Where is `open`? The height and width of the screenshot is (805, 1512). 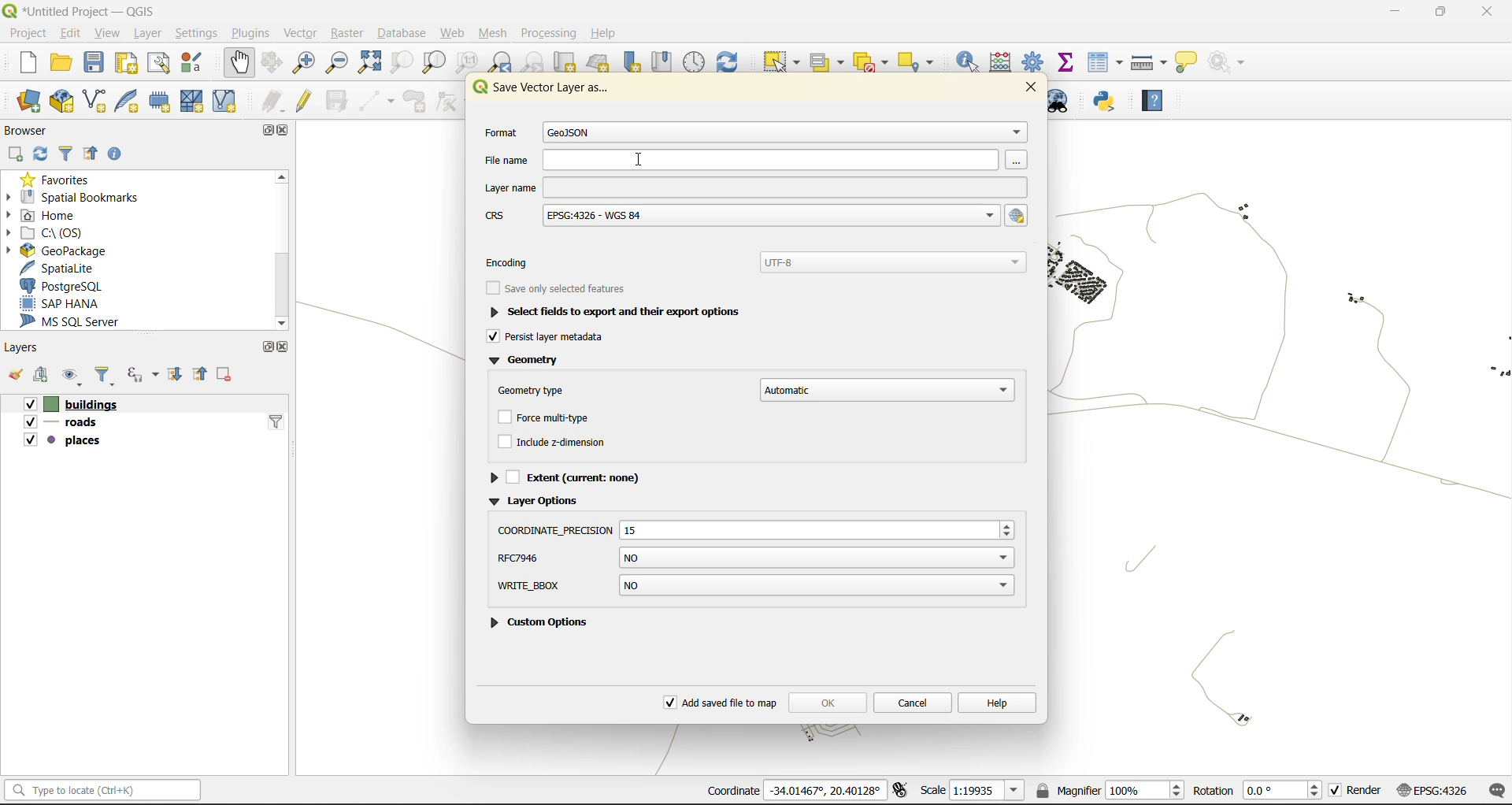
open is located at coordinates (13, 376).